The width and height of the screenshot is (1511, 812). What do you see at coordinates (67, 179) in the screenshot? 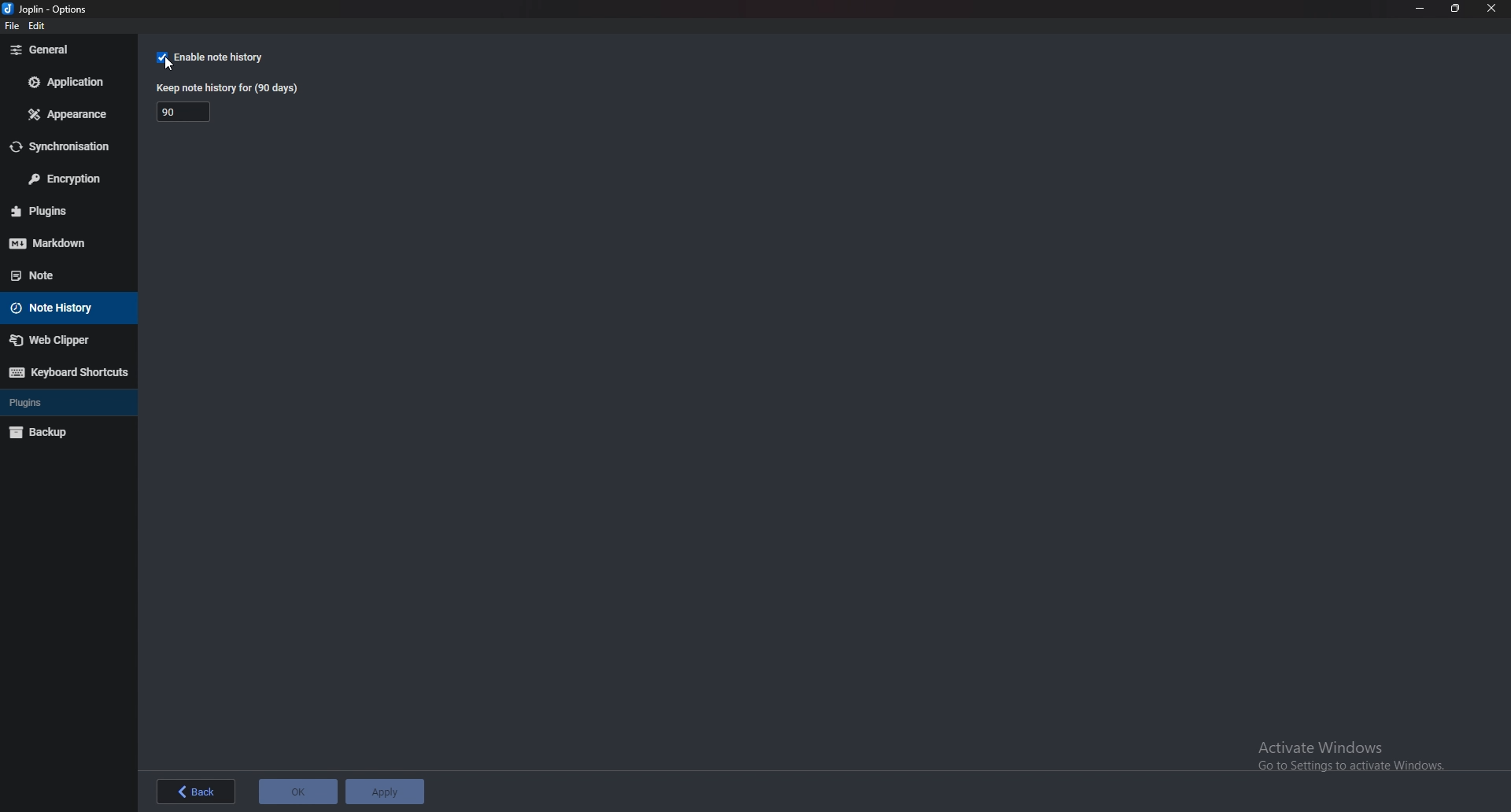
I see `Encryption` at bounding box center [67, 179].